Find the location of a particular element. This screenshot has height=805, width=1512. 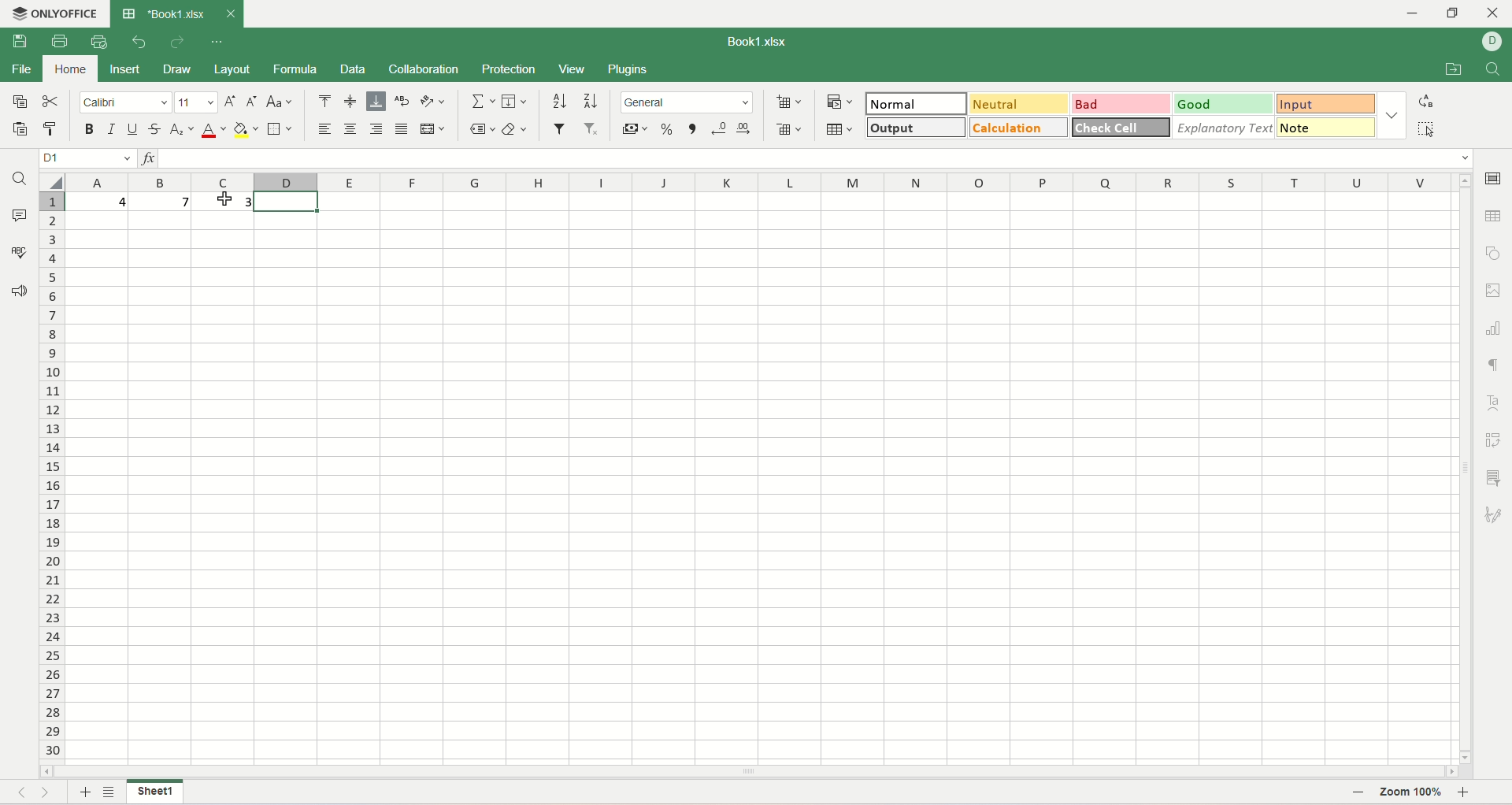

insert is located at coordinates (128, 70).